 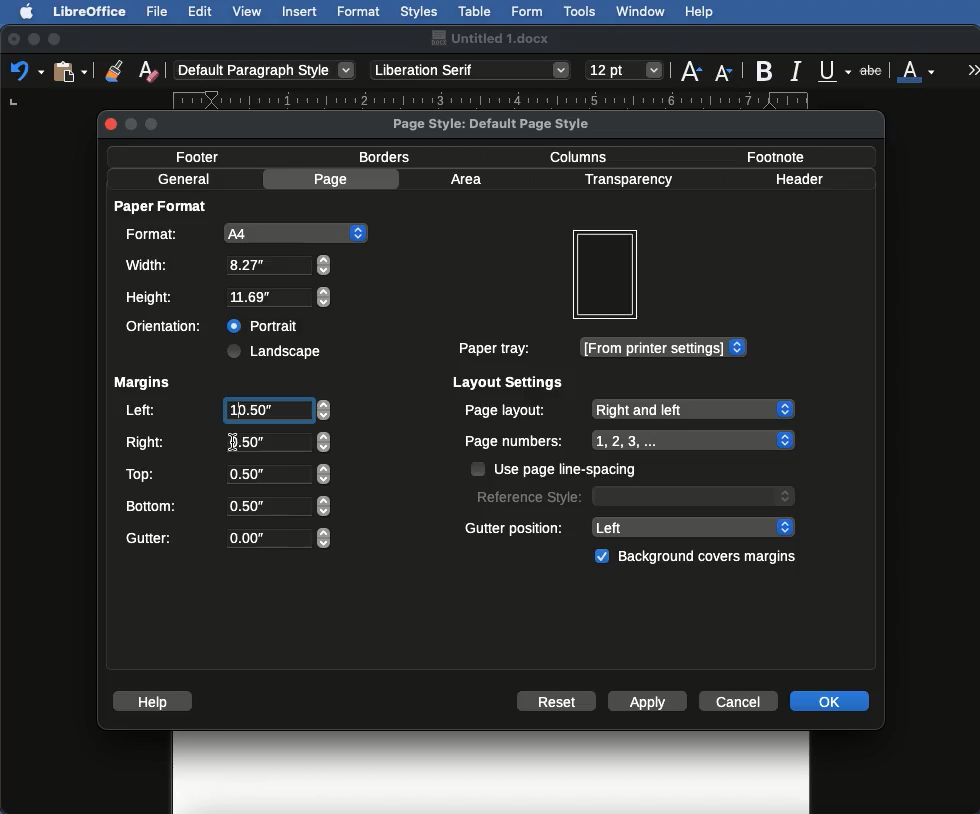 I want to click on Size decrease, so click(x=728, y=72).